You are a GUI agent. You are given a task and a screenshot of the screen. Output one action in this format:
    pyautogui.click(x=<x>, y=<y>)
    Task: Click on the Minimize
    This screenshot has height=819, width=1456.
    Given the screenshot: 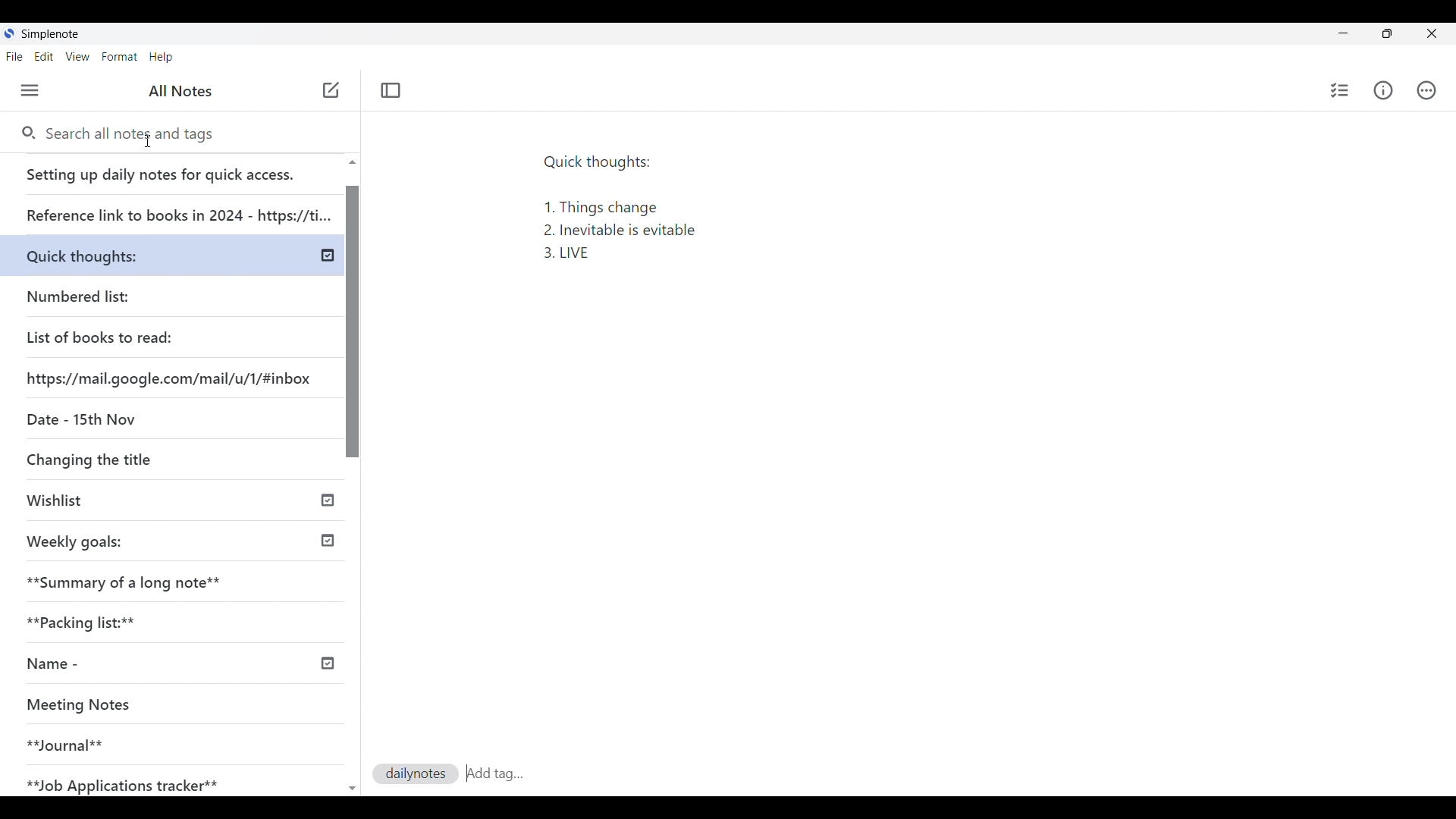 What is the action you would take?
    pyautogui.click(x=1343, y=33)
    